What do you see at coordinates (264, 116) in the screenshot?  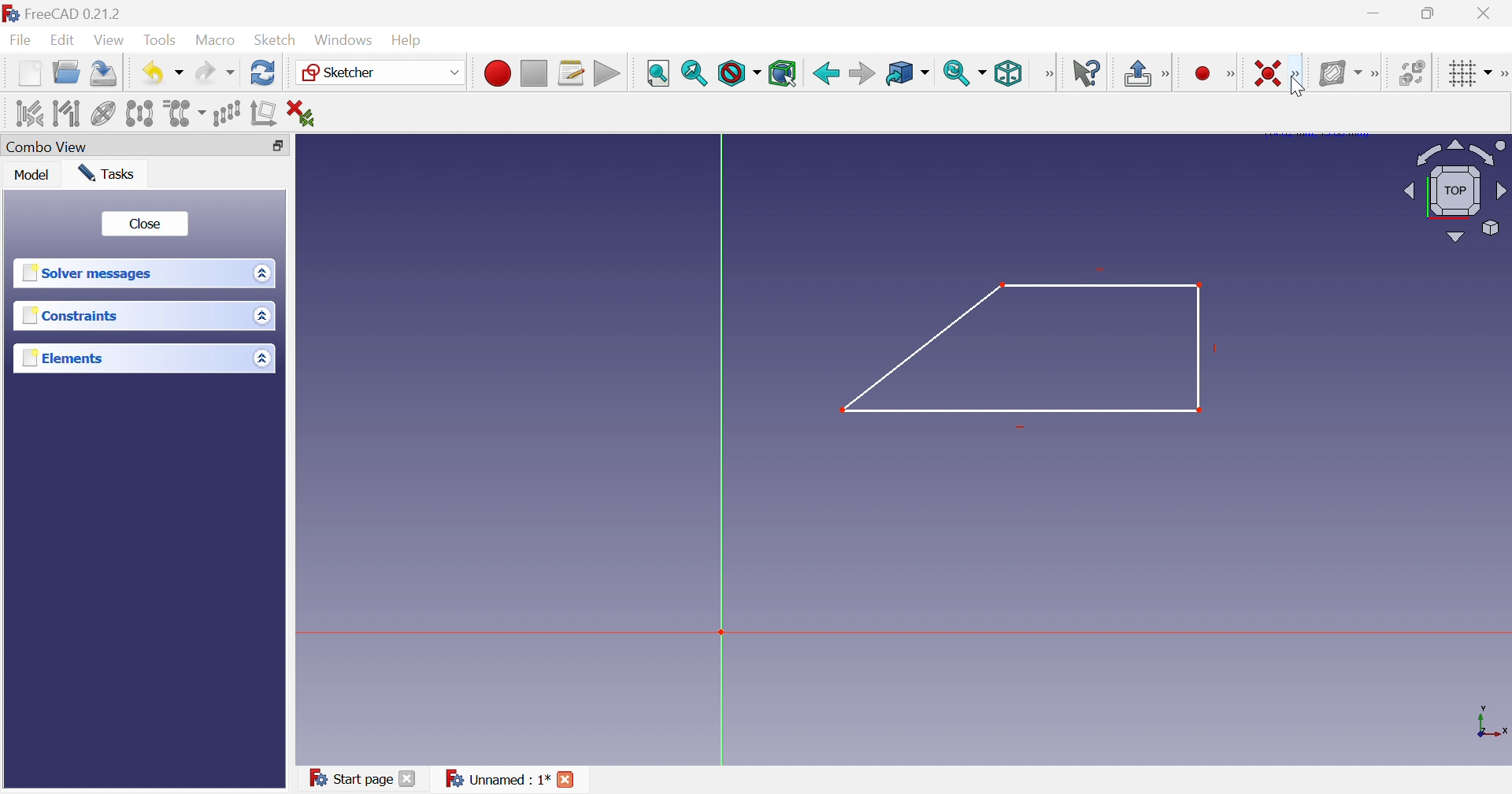 I see `Remove axes alignment` at bounding box center [264, 116].